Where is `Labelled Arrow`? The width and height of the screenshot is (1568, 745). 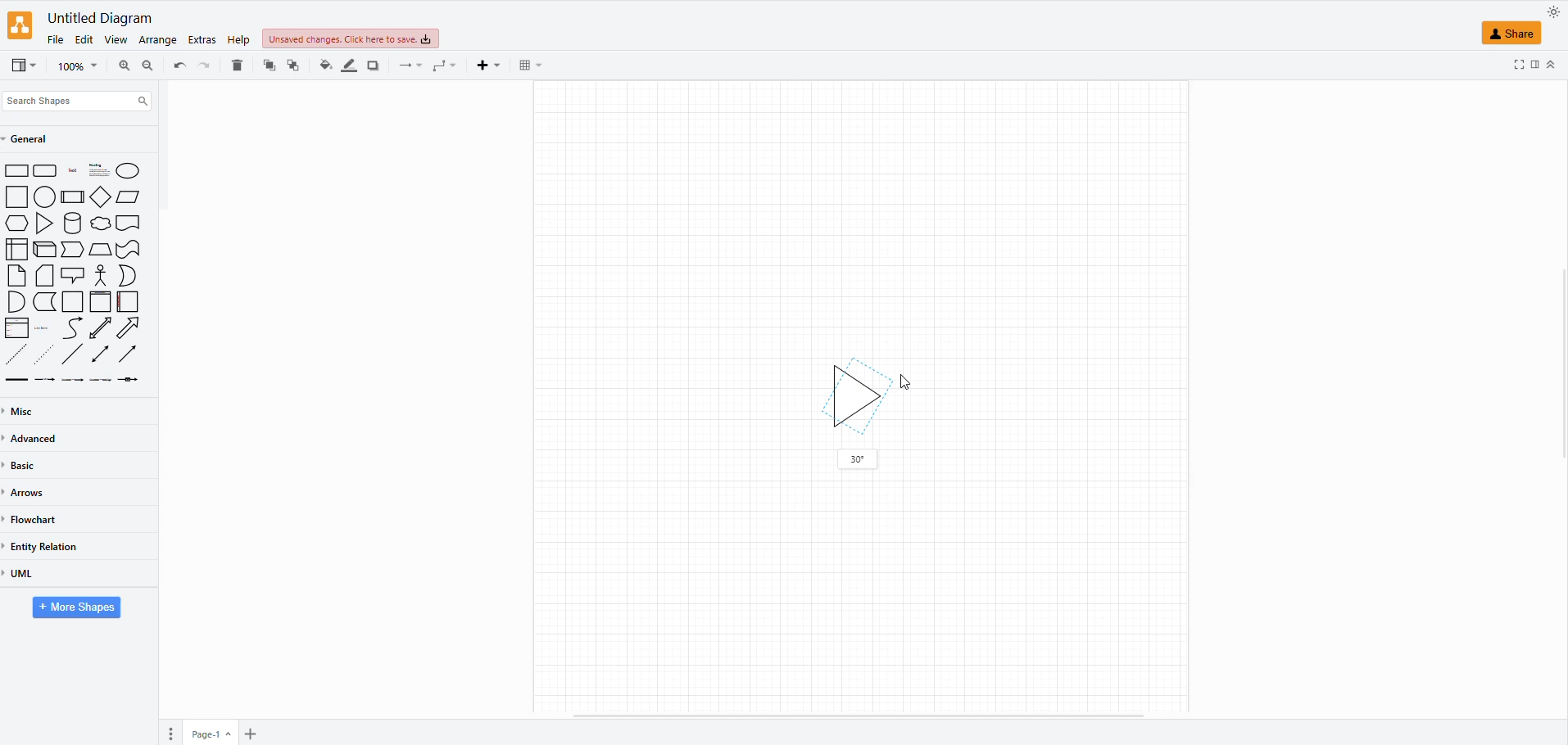
Labelled Arrow is located at coordinates (72, 380).